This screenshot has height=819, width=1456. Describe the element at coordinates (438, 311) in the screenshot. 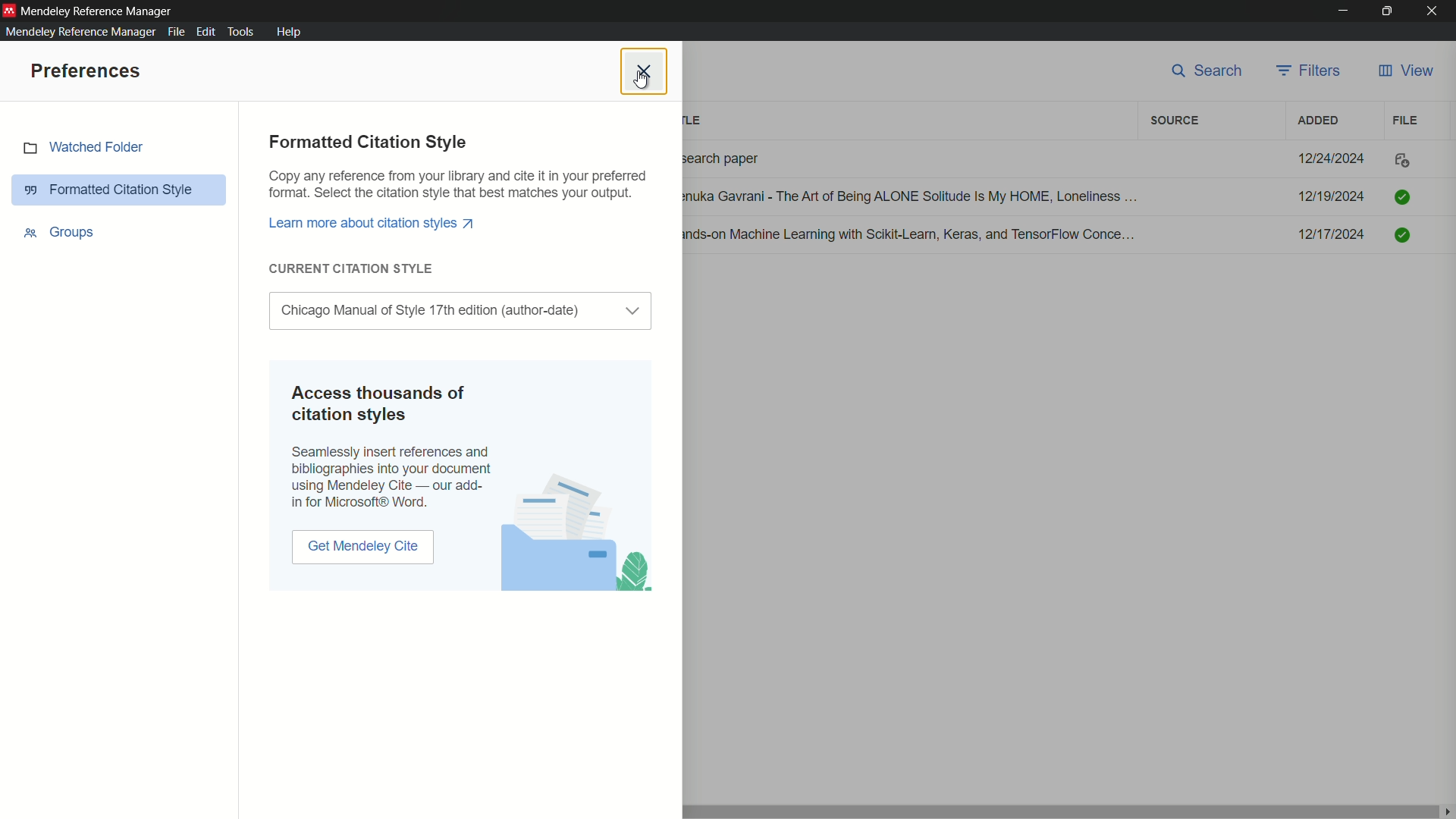

I see `changed citation style` at that location.